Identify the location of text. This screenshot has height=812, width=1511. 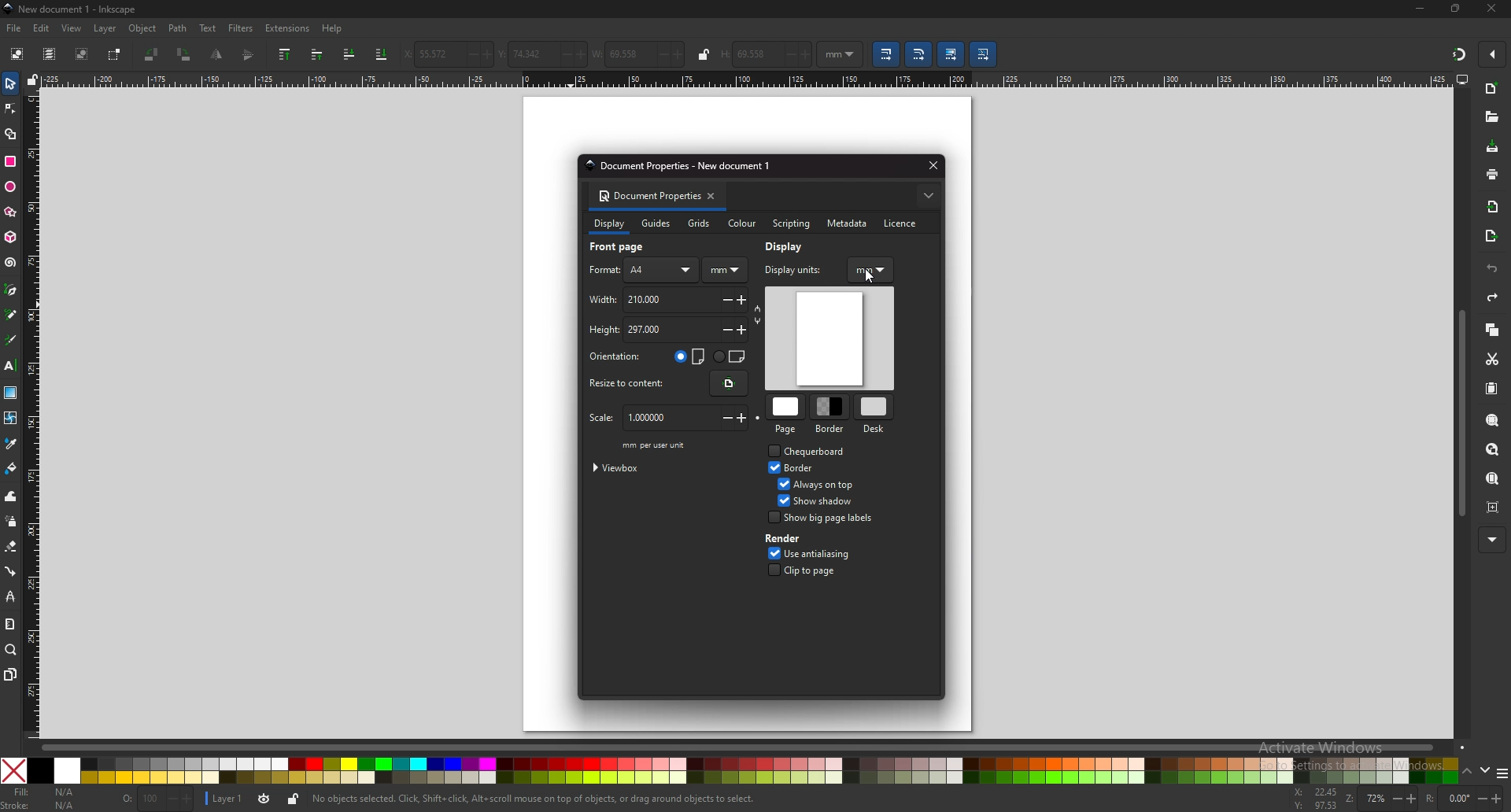
(209, 28).